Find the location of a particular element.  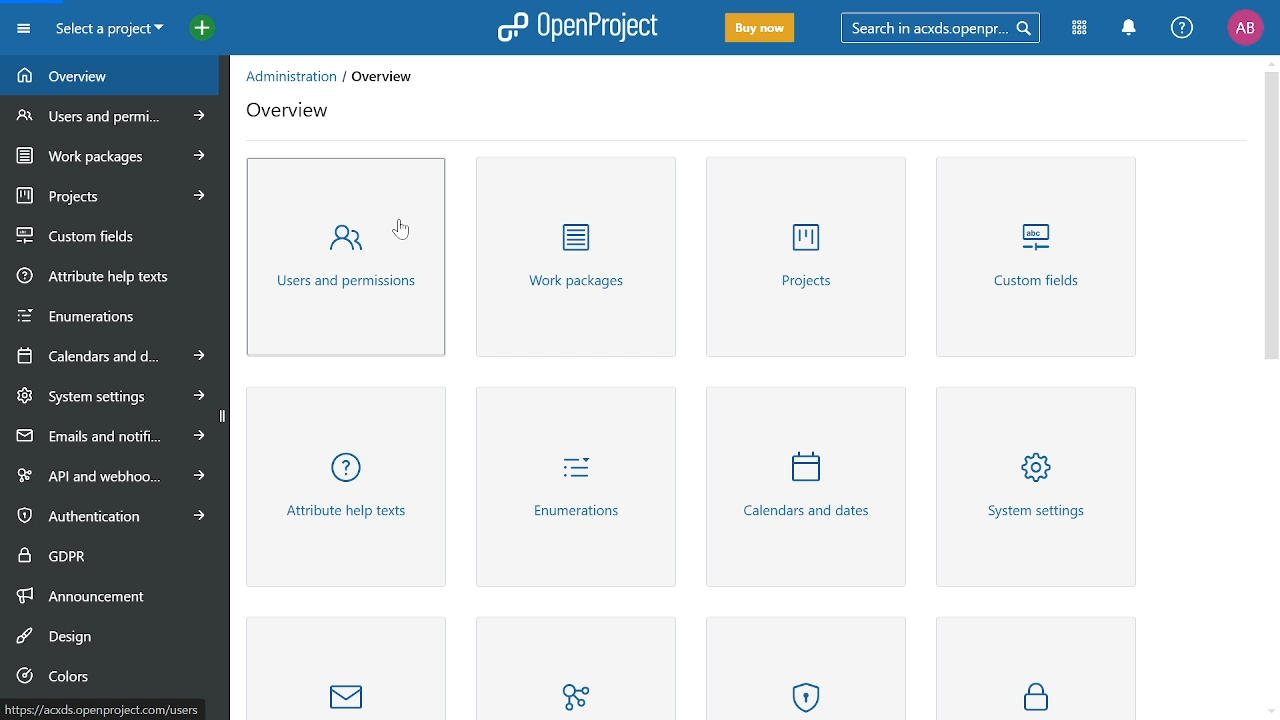

Vertical scrollbar is located at coordinates (1270, 223).